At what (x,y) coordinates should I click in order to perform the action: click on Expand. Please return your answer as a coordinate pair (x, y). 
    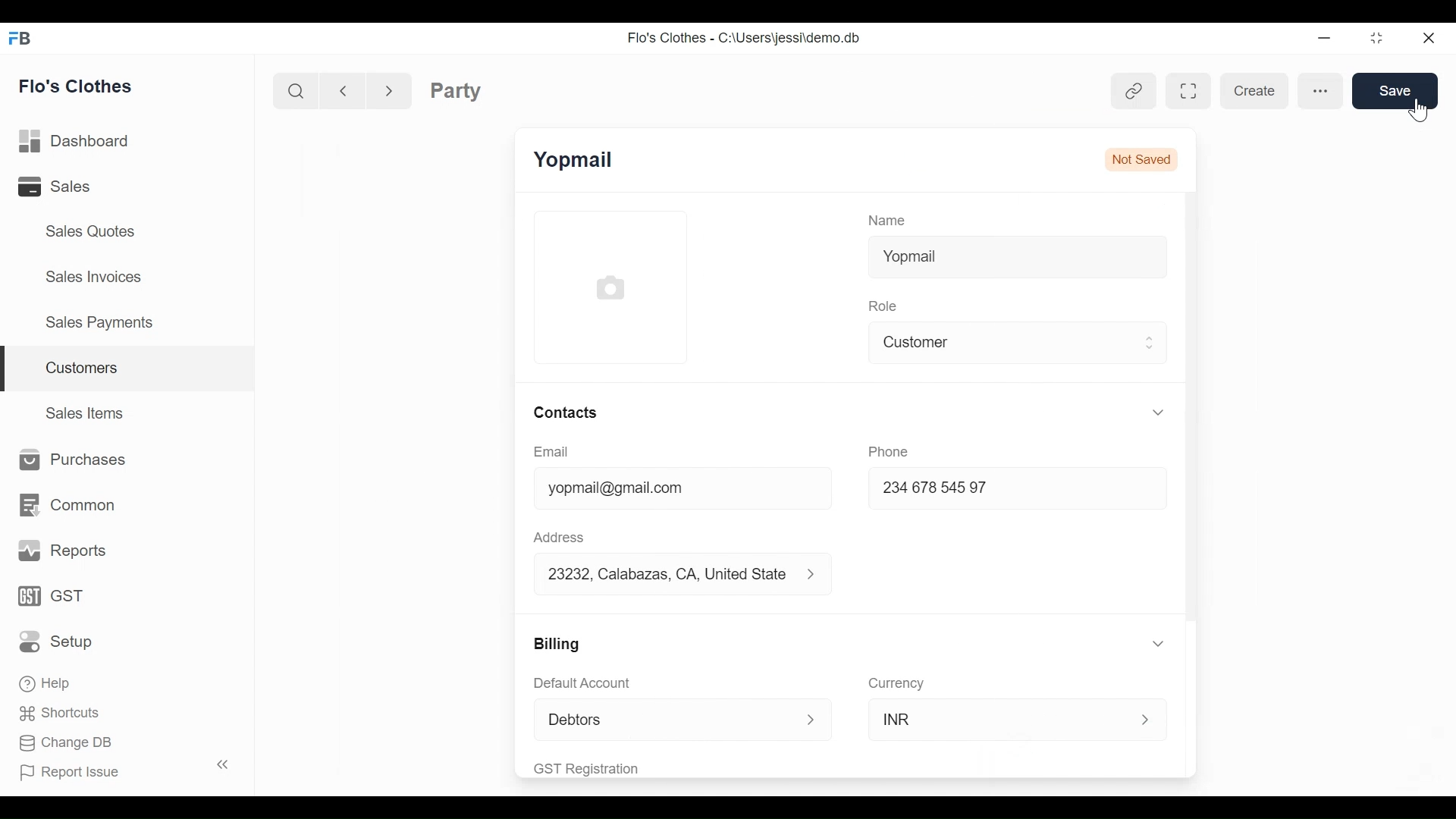
    Looking at the image, I should click on (1159, 644).